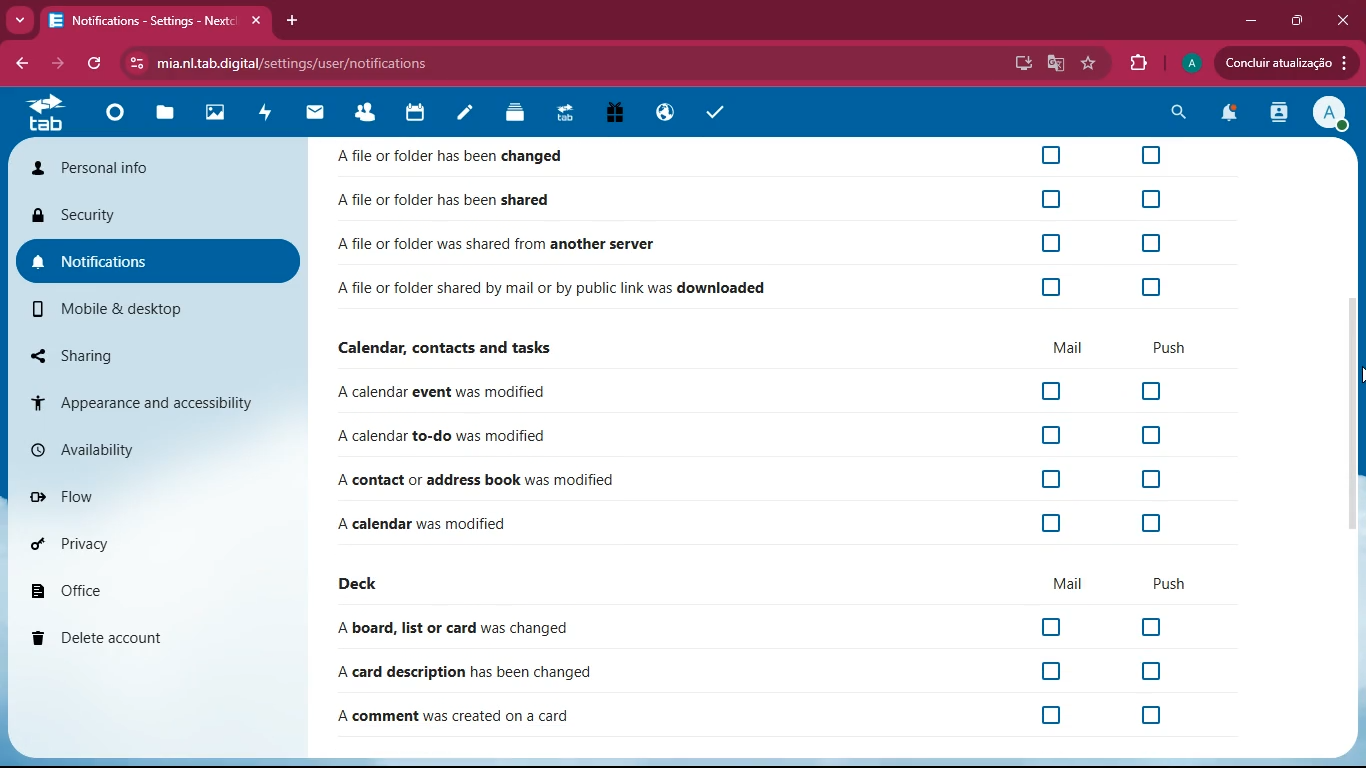  What do you see at coordinates (148, 215) in the screenshot?
I see `security` at bounding box center [148, 215].